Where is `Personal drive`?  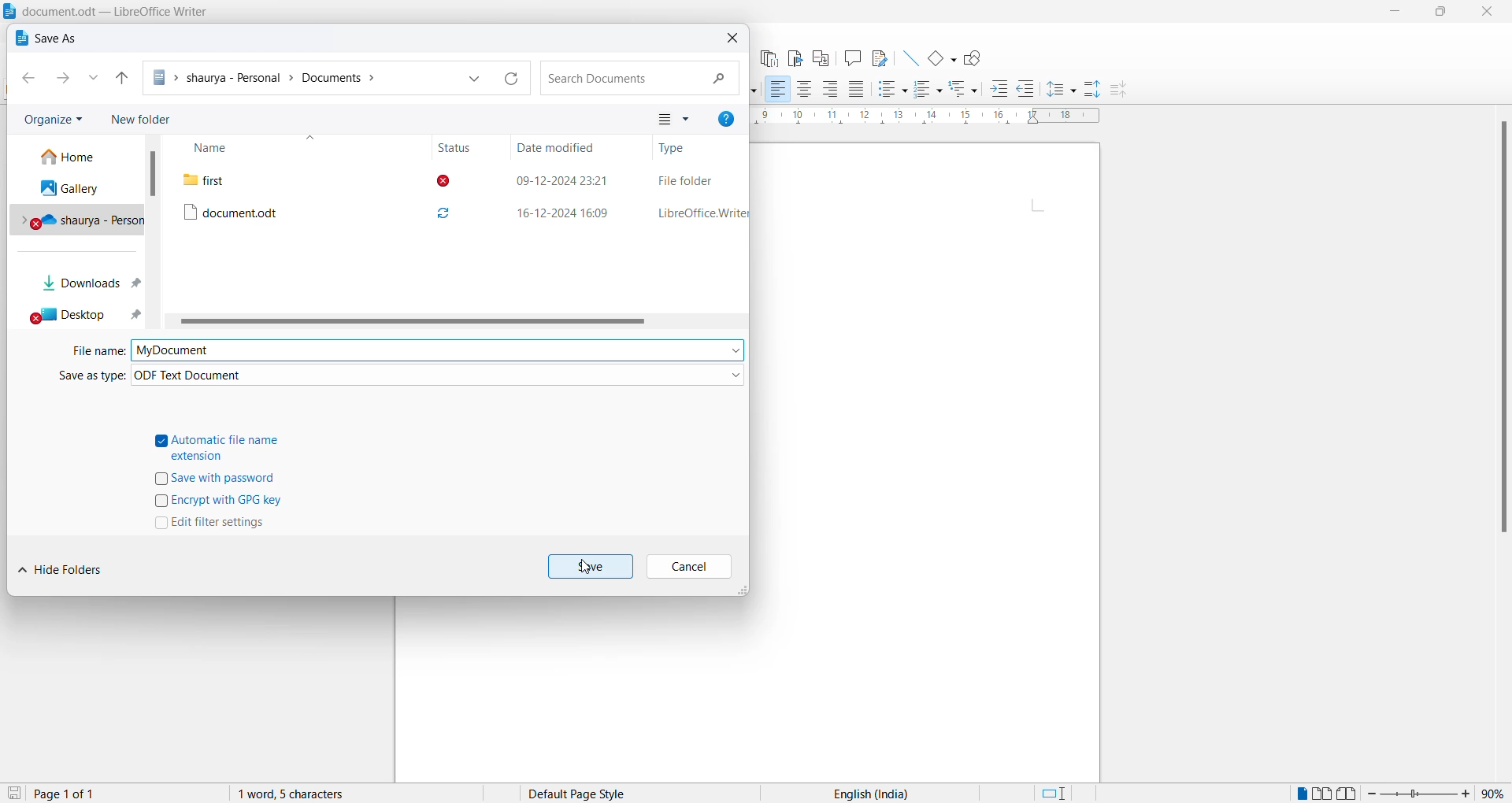
Personal drive is located at coordinates (80, 221).